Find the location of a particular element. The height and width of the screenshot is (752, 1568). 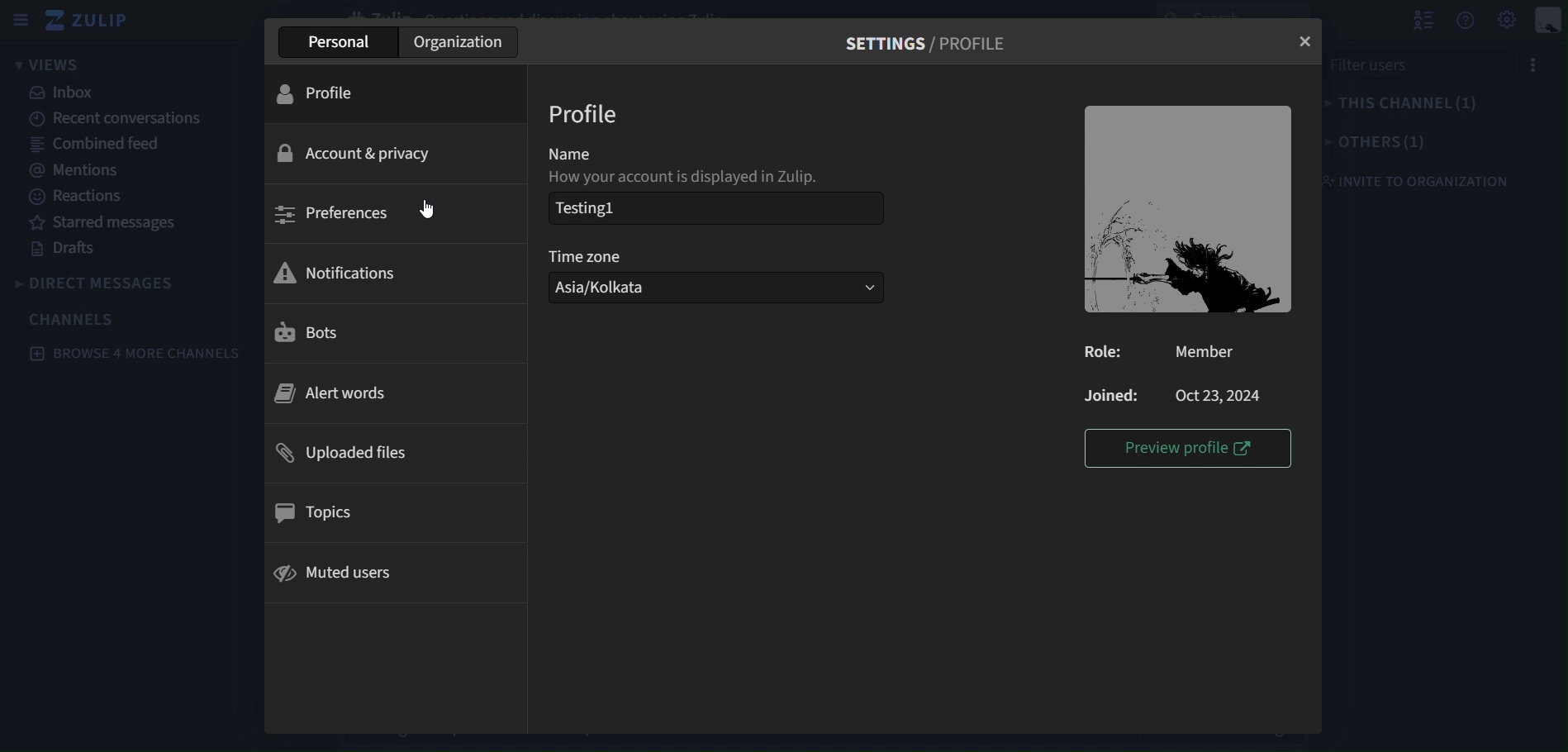

How your account is displayed in Zulip. is located at coordinates (688, 176).